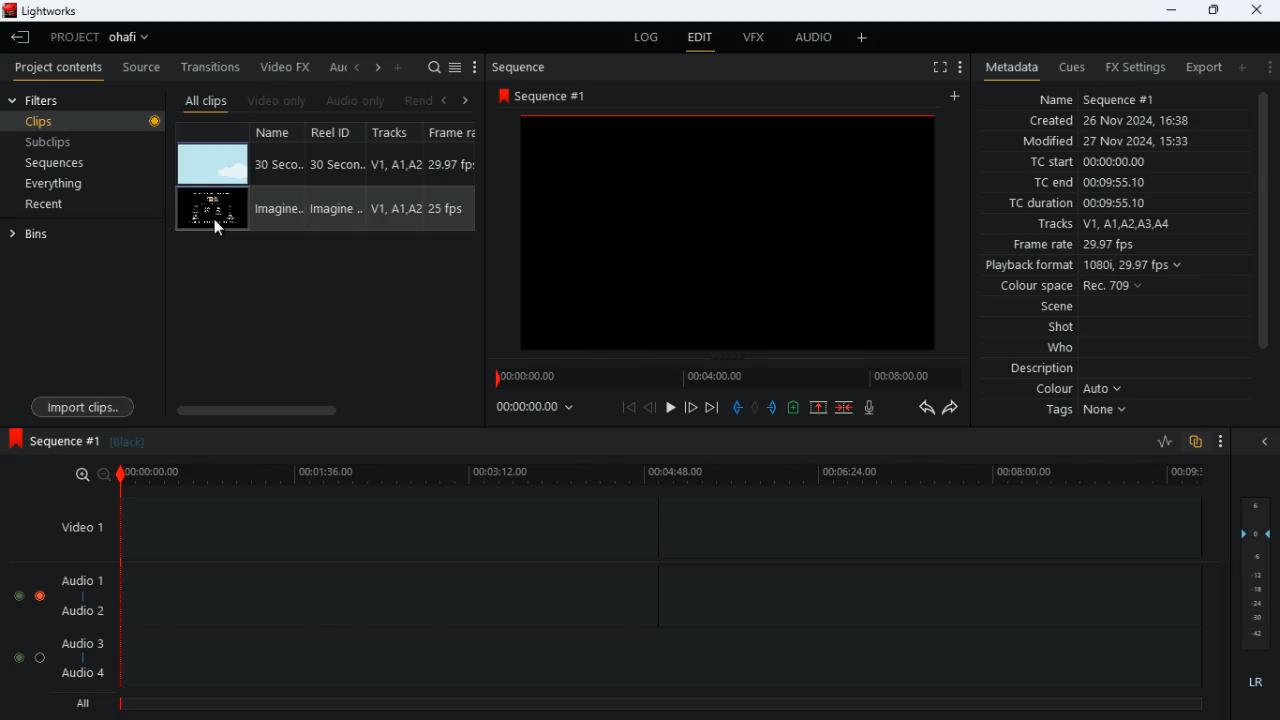 This screenshot has height=720, width=1280. What do you see at coordinates (288, 67) in the screenshot?
I see `video fx` at bounding box center [288, 67].